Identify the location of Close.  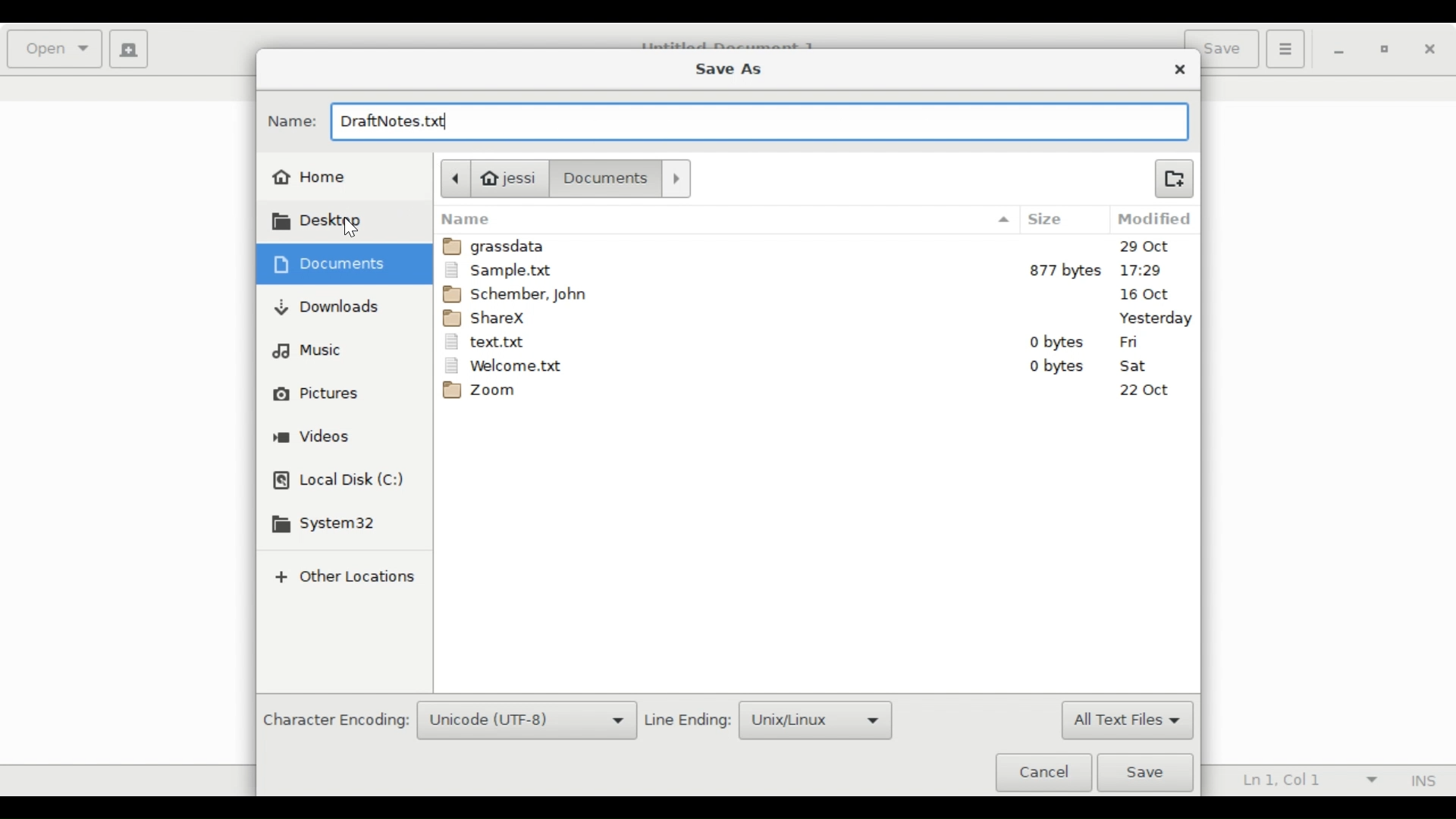
(1430, 50).